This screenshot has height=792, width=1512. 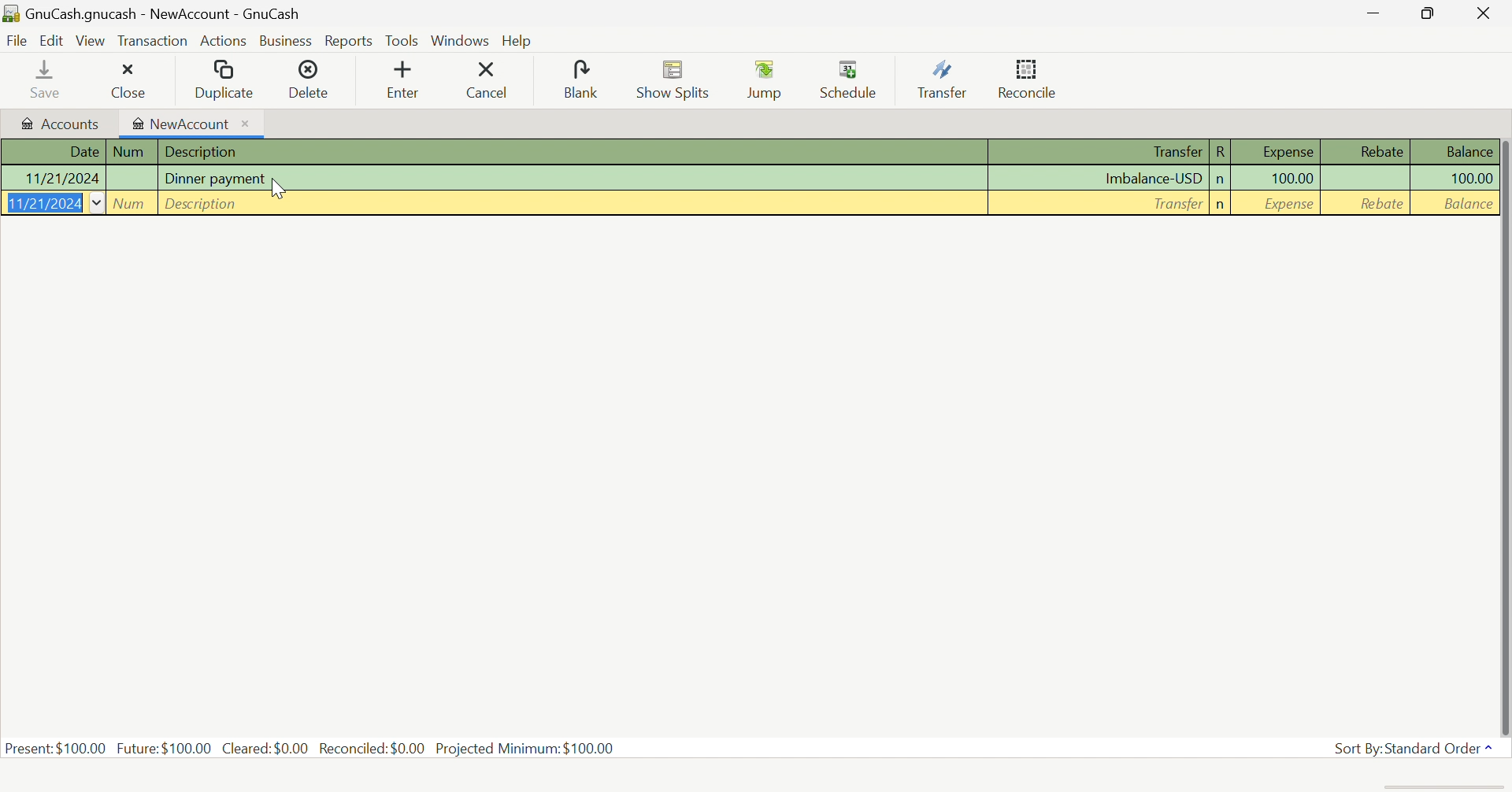 What do you see at coordinates (1467, 205) in the screenshot?
I see `Balance` at bounding box center [1467, 205].